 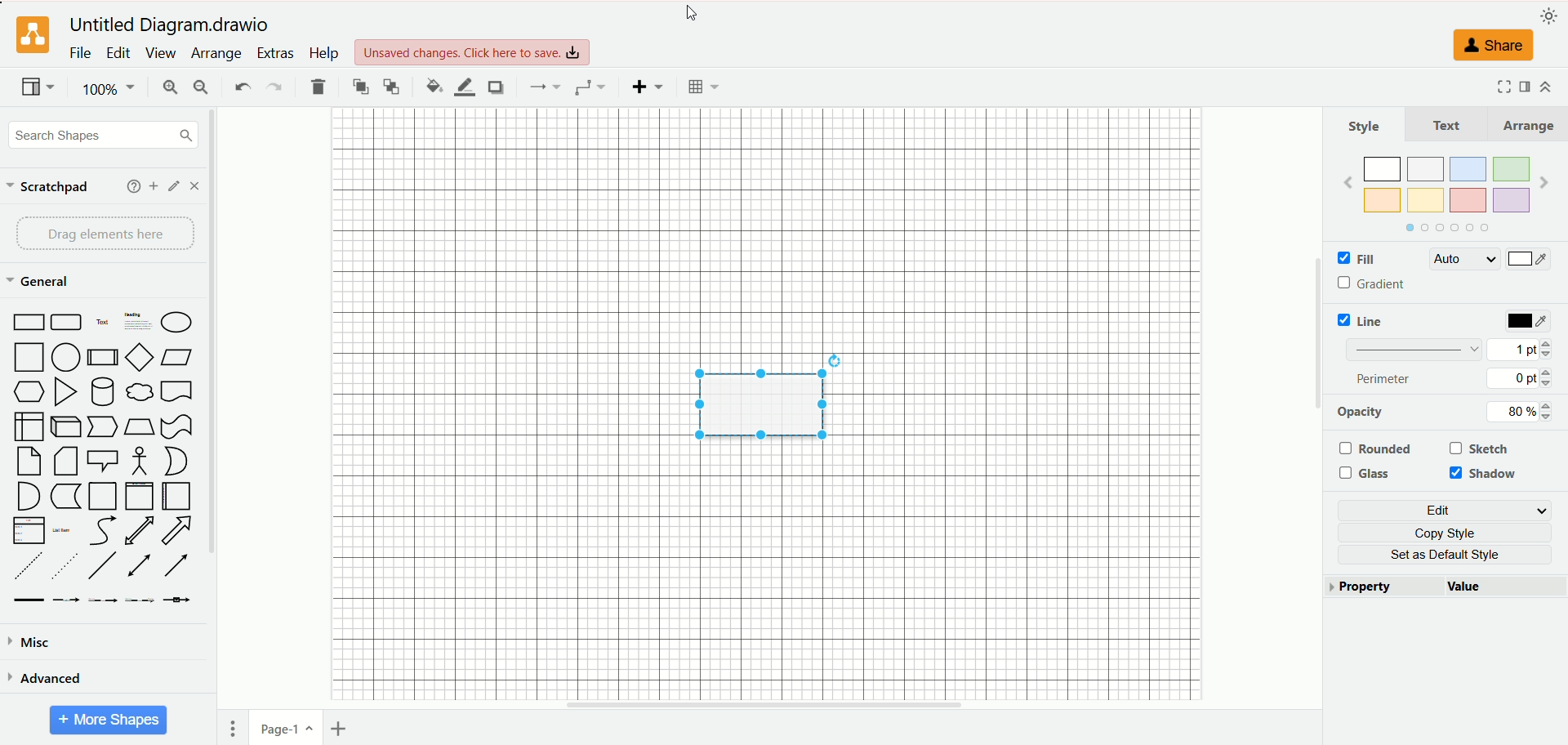 What do you see at coordinates (42, 283) in the screenshot?
I see `general` at bounding box center [42, 283].